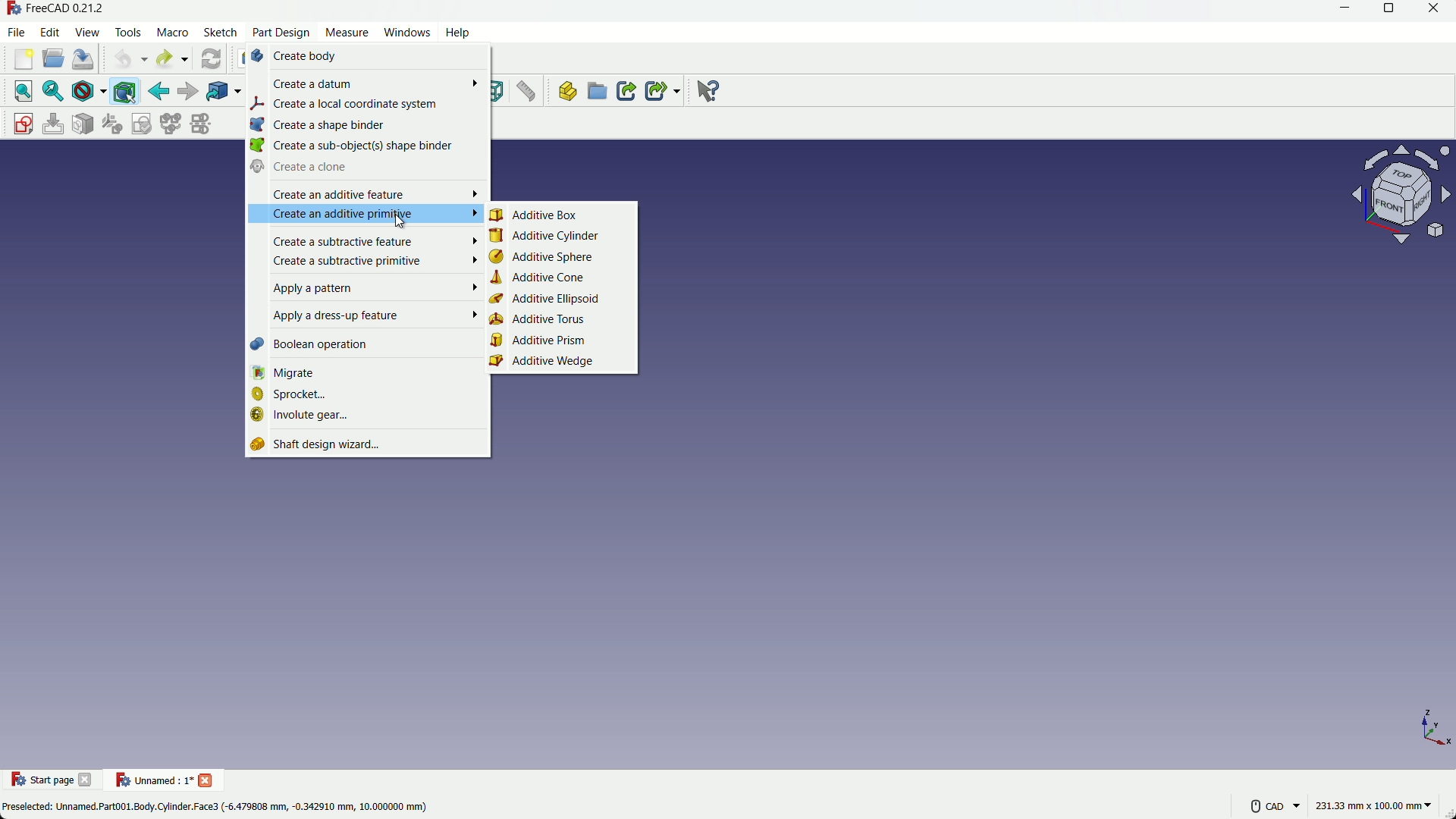 The image size is (1456, 819). I want to click on z, y, x axis, so click(1429, 732).